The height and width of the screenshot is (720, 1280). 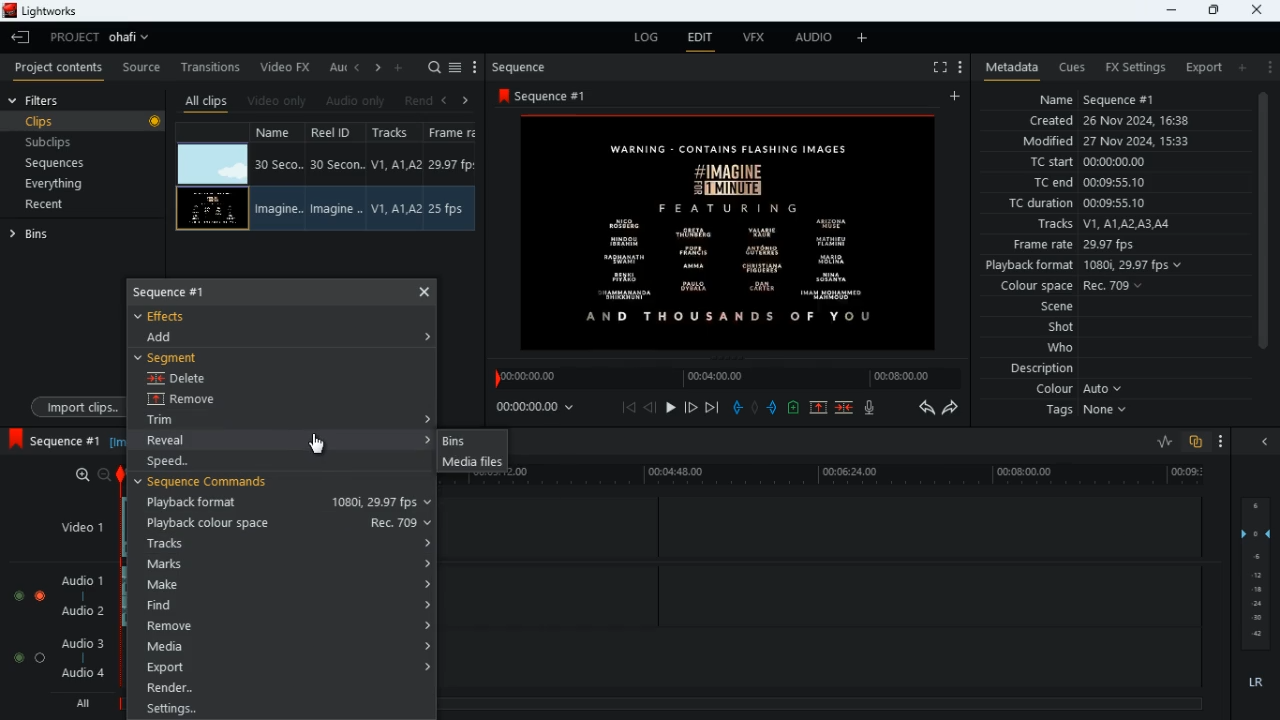 What do you see at coordinates (88, 613) in the screenshot?
I see `audio 2` at bounding box center [88, 613].